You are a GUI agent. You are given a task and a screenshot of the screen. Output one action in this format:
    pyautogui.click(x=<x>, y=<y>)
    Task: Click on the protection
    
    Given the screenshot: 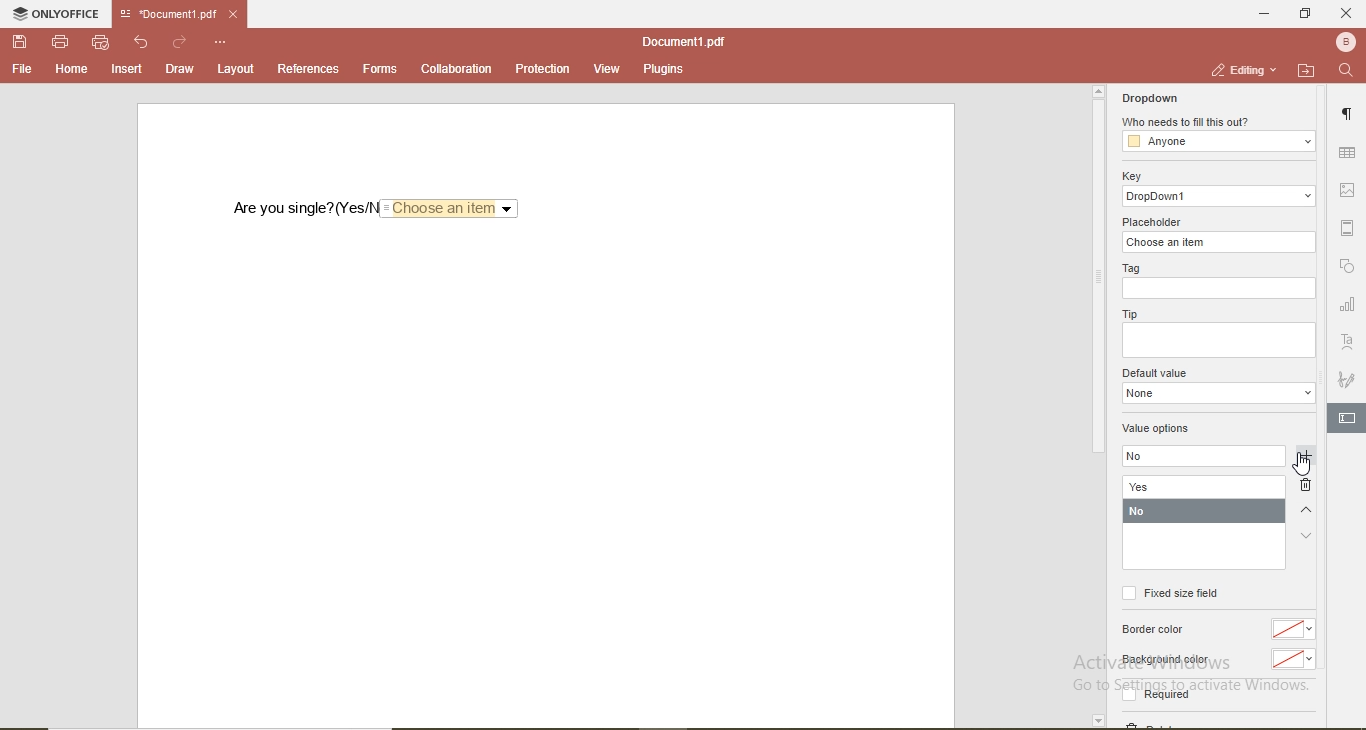 What is the action you would take?
    pyautogui.click(x=544, y=68)
    